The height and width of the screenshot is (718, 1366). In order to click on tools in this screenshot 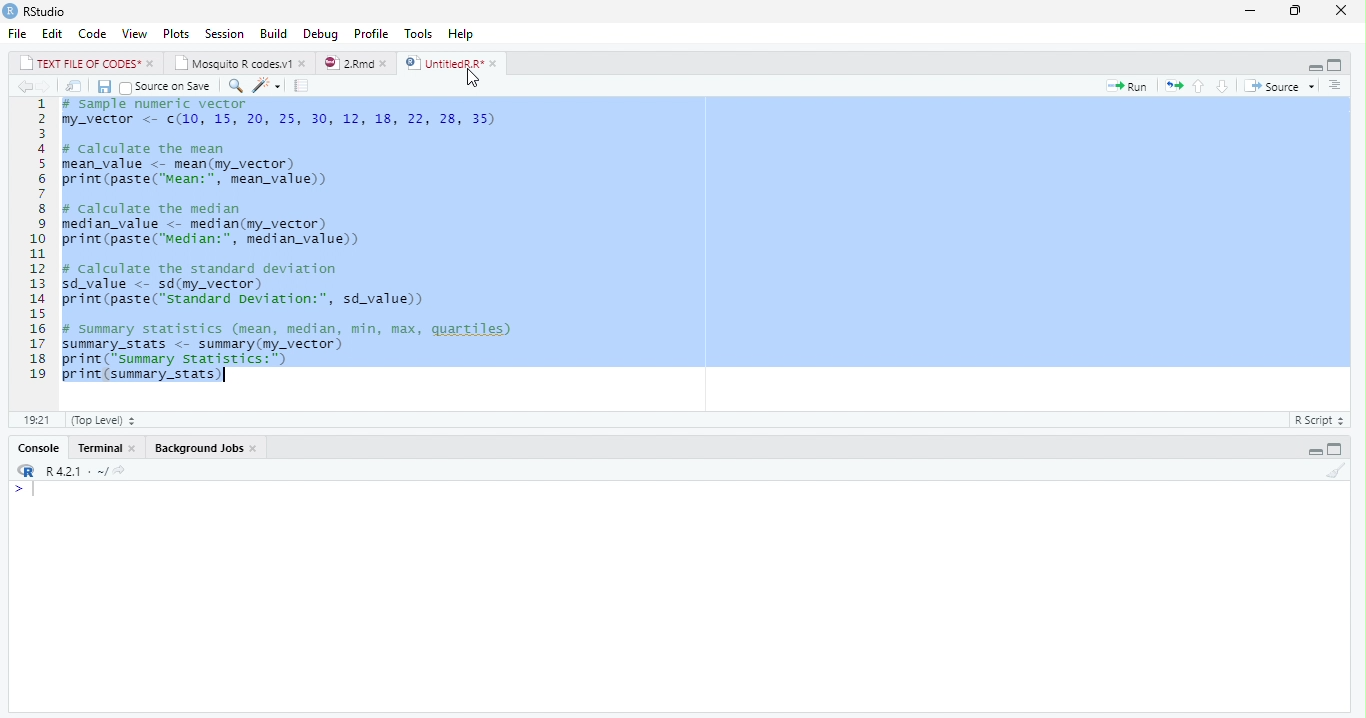, I will do `click(420, 34)`.